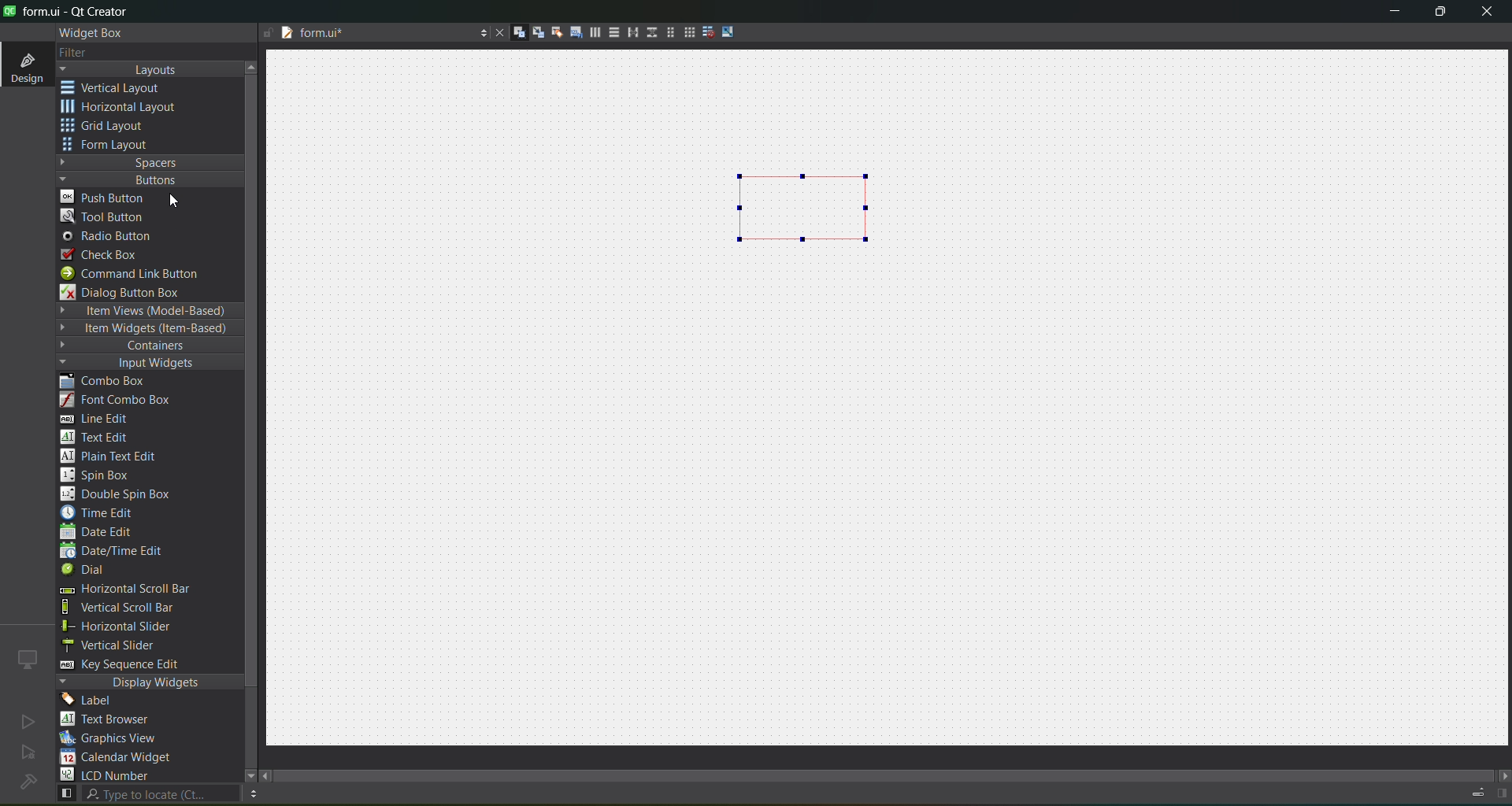  I want to click on font combo box, so click(121, 401).